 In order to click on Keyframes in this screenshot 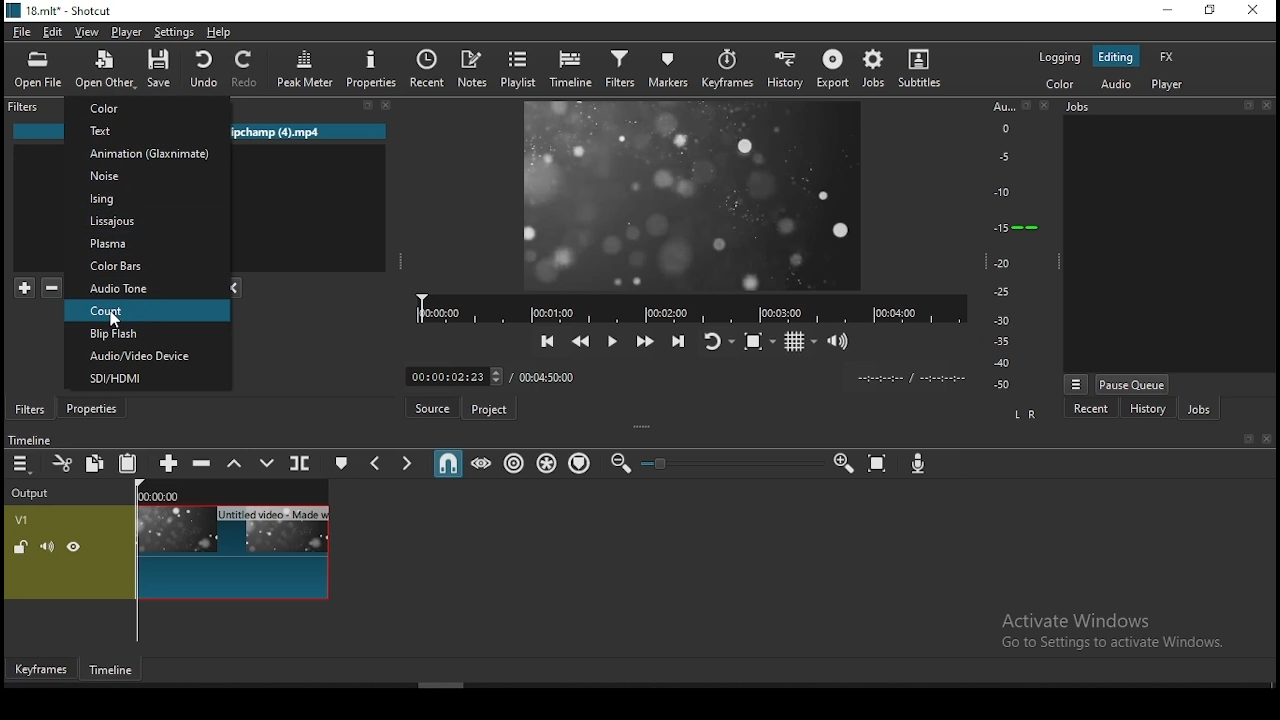, I will do `click(39, 669)`.